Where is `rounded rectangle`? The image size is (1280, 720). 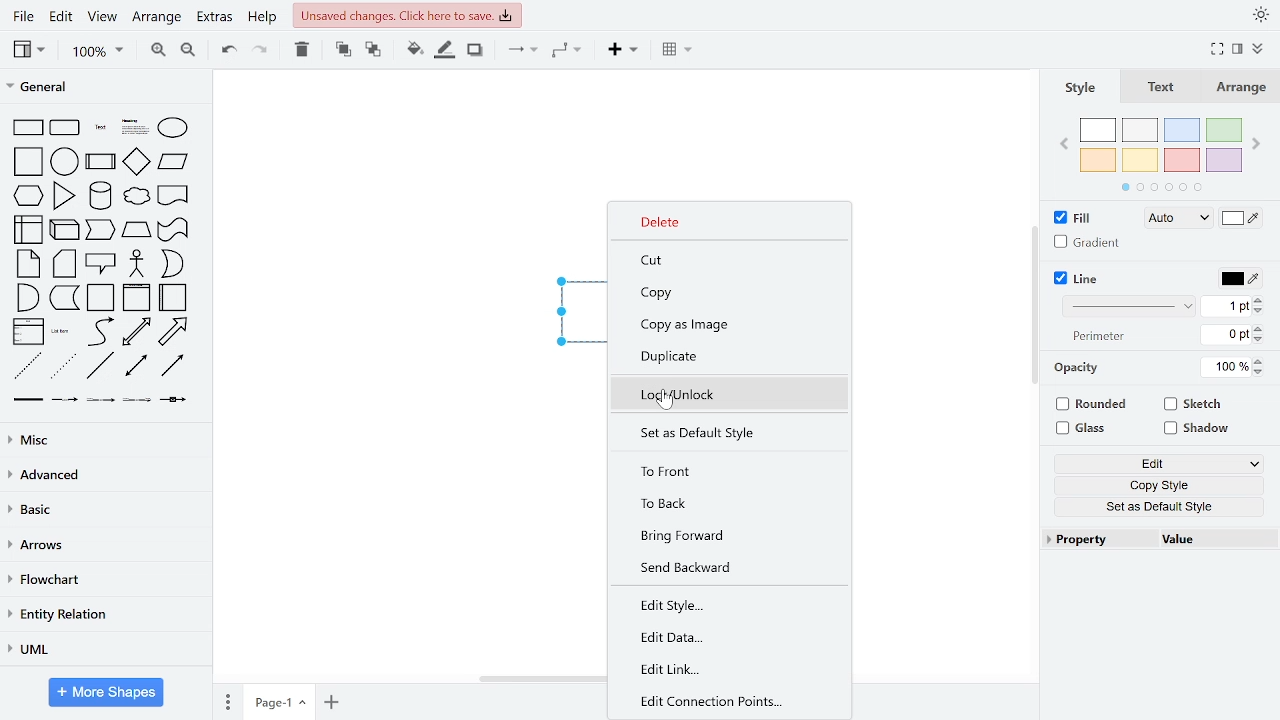 rounded rectangle is located at coordinates (65, 128).